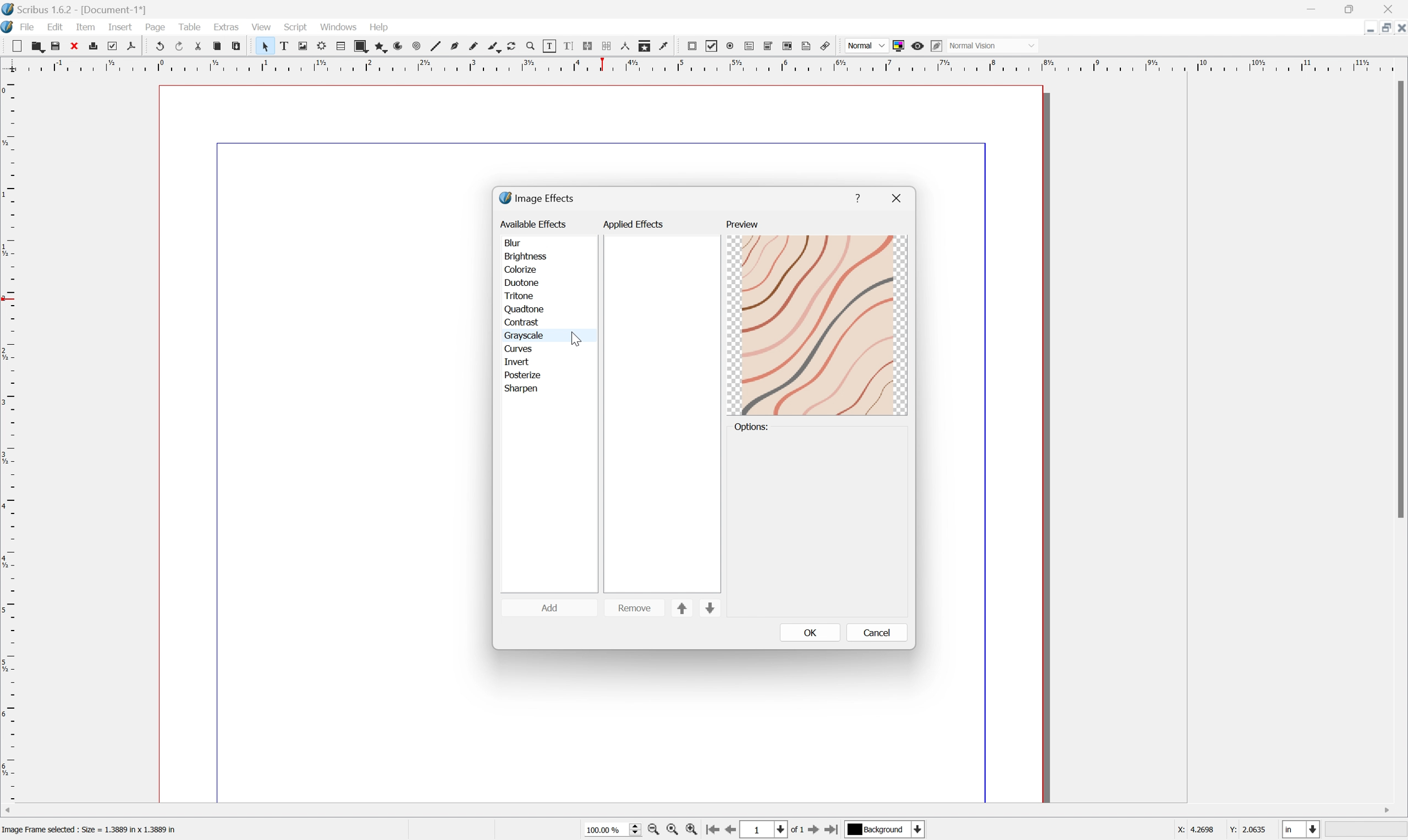  Describe the element at coordinates (709, 610) in the screenshot. I see `down` at that location.